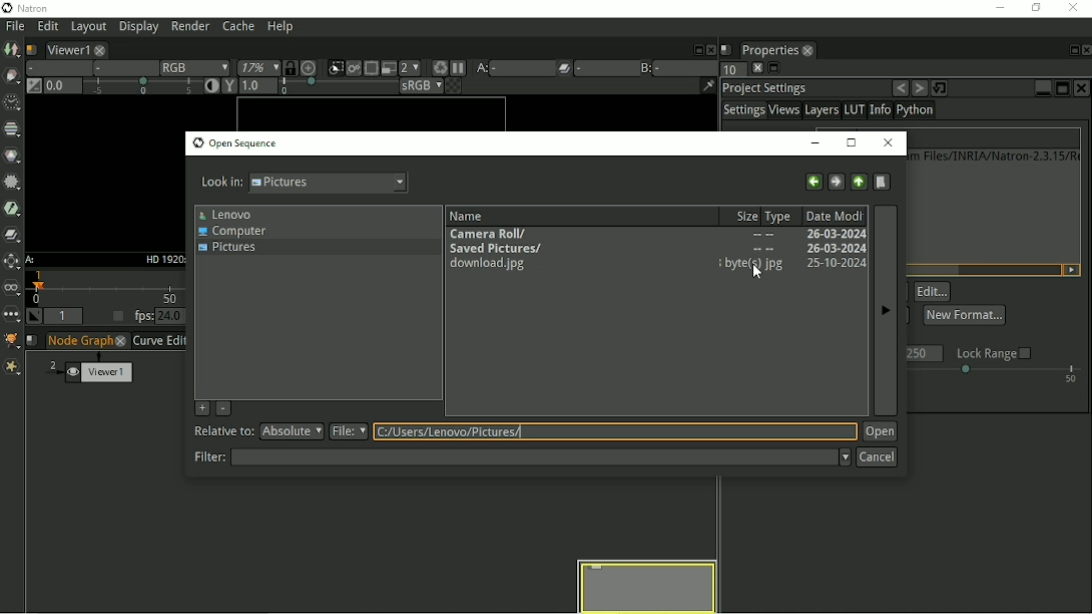 The height and width of the screenshot is (614, 1092). Describe the element at coordinates (782, 215) in the screenshot. I see `Type` at that location.